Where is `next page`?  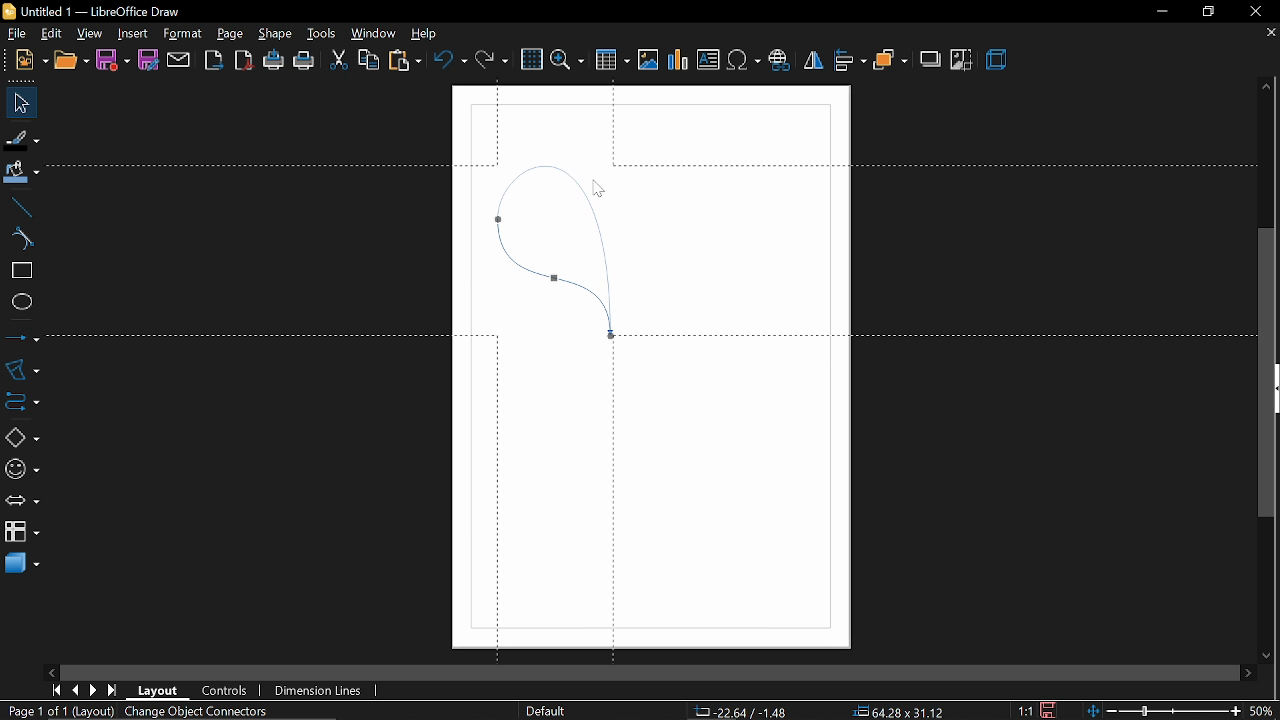
next page is located at coordinates (93, 690).